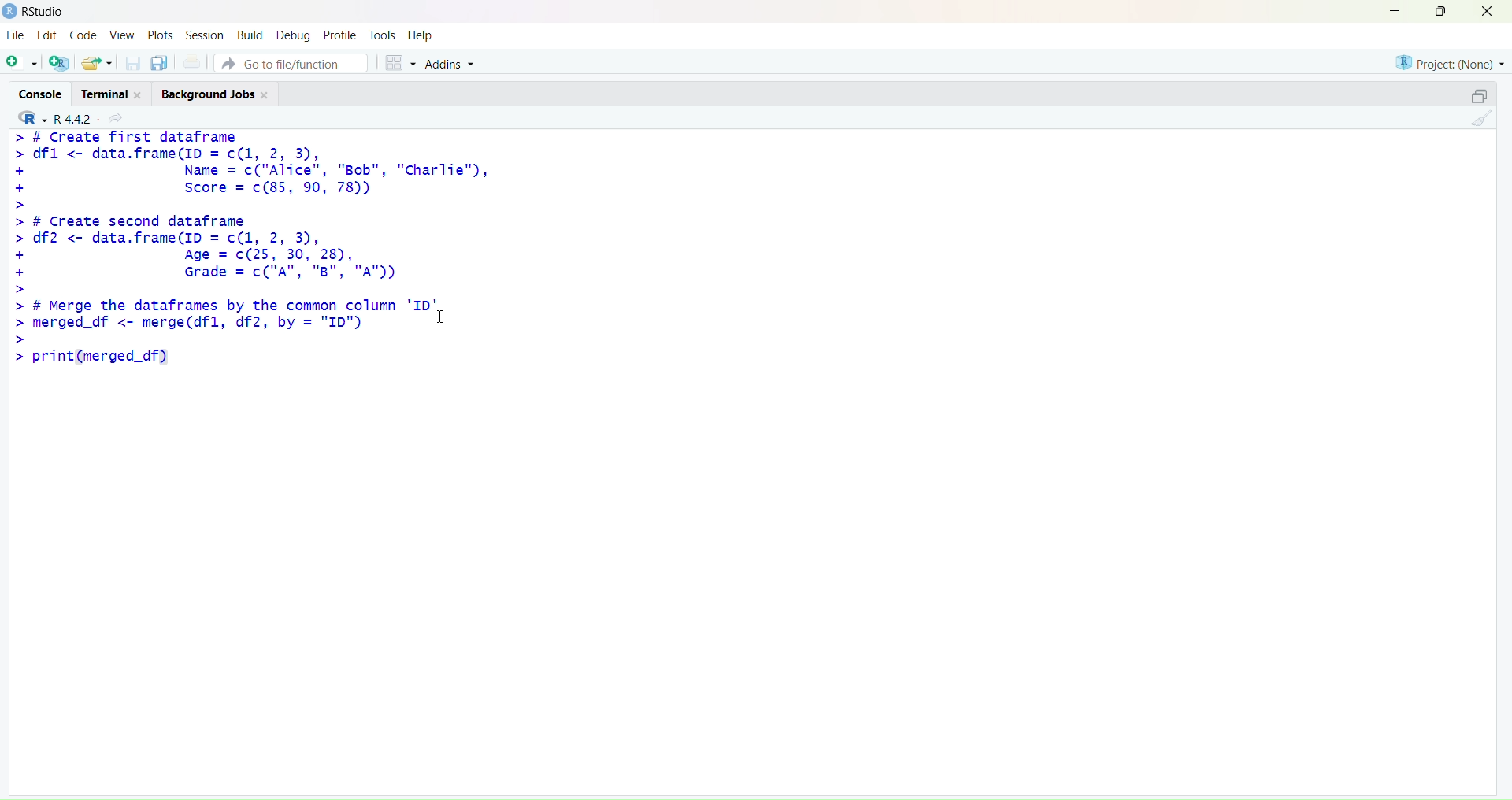 This screenshot has height=800, width=1512. I want to click on maximize, so click(1479, 94).